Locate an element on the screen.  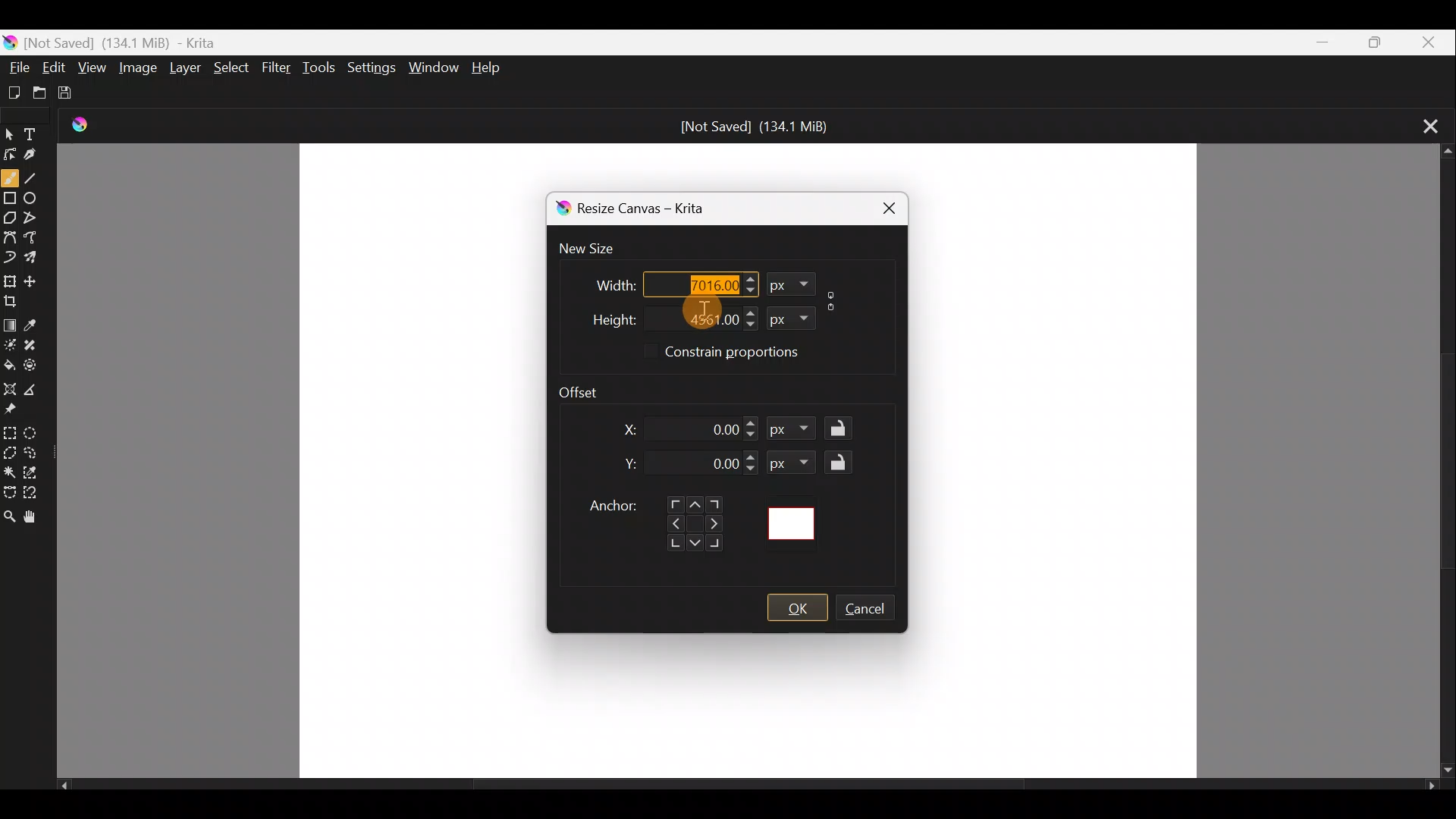
0.00 is located at coordinates (720, 428).